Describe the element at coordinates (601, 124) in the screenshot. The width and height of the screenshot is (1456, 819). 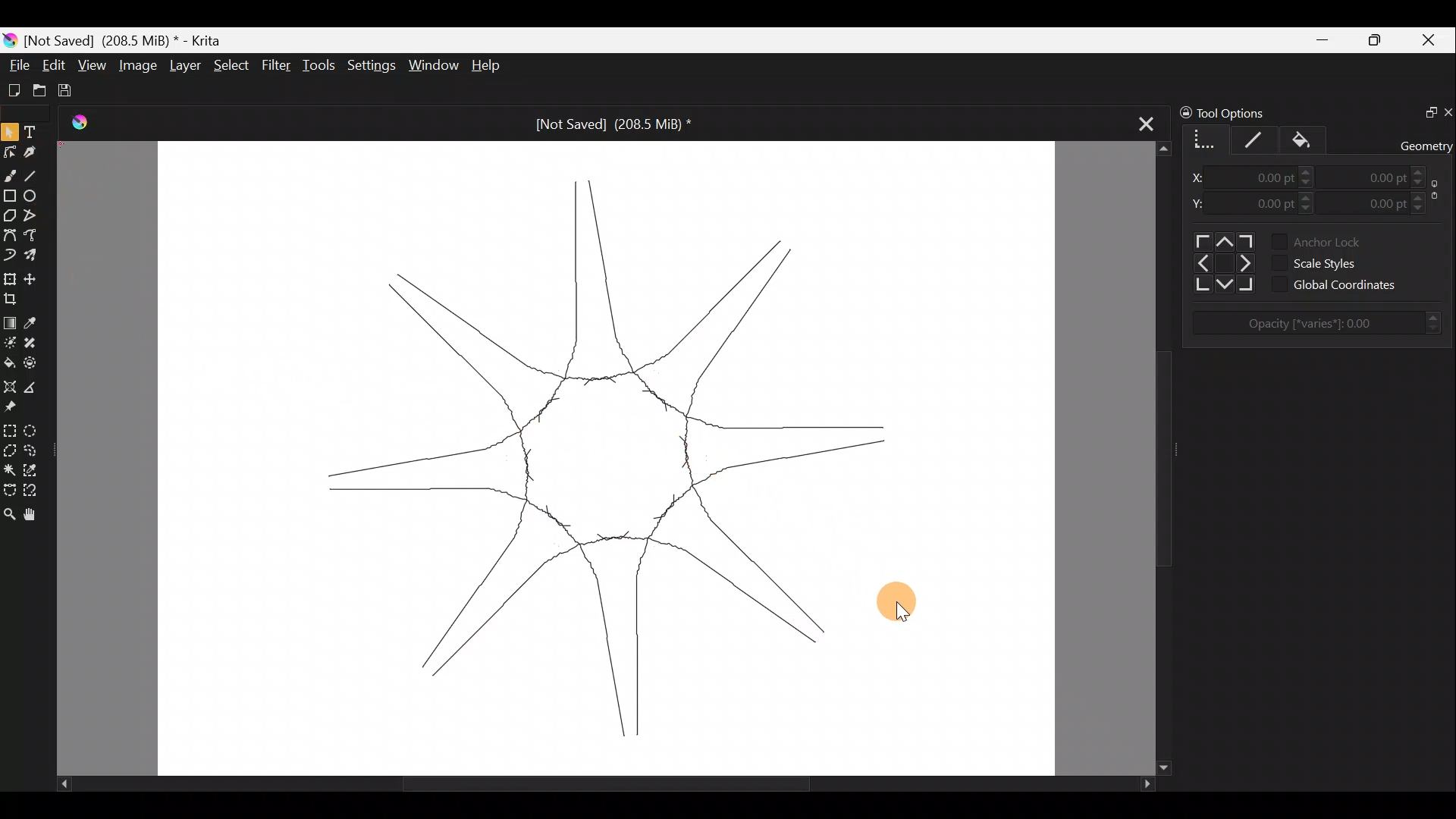
I see `Not Saved] (143.4 MiB) *` at that location.